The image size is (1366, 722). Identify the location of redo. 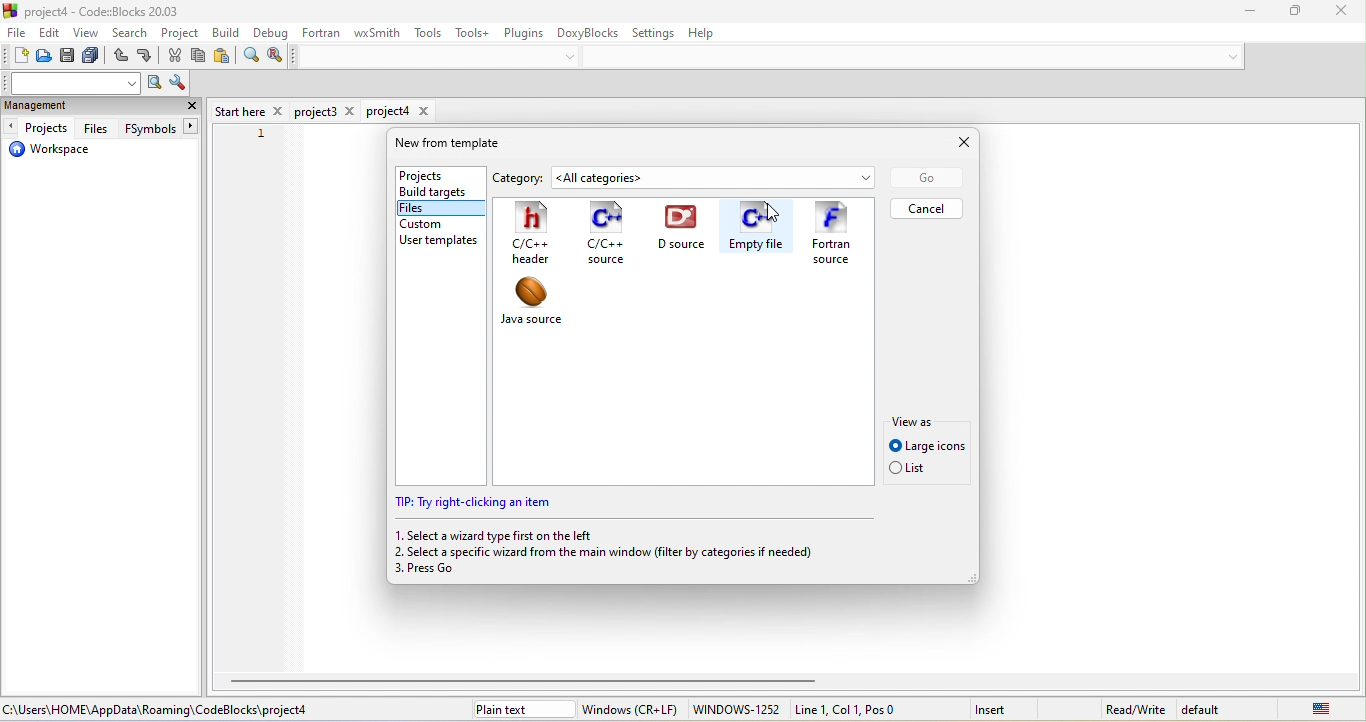
(147, 58).